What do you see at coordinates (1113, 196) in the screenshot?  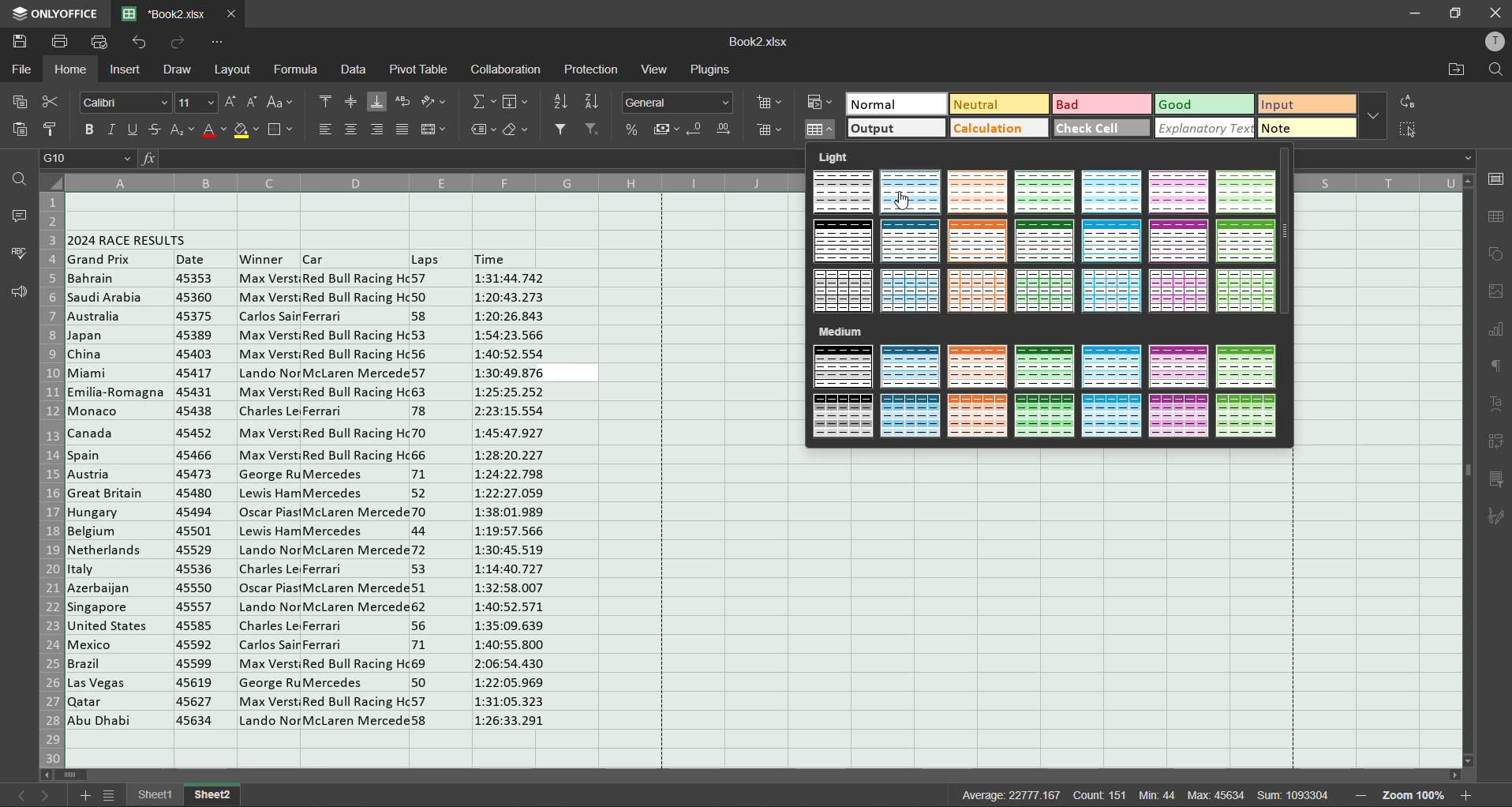 I see `table style light 5` at bounding box center [1113, 196].